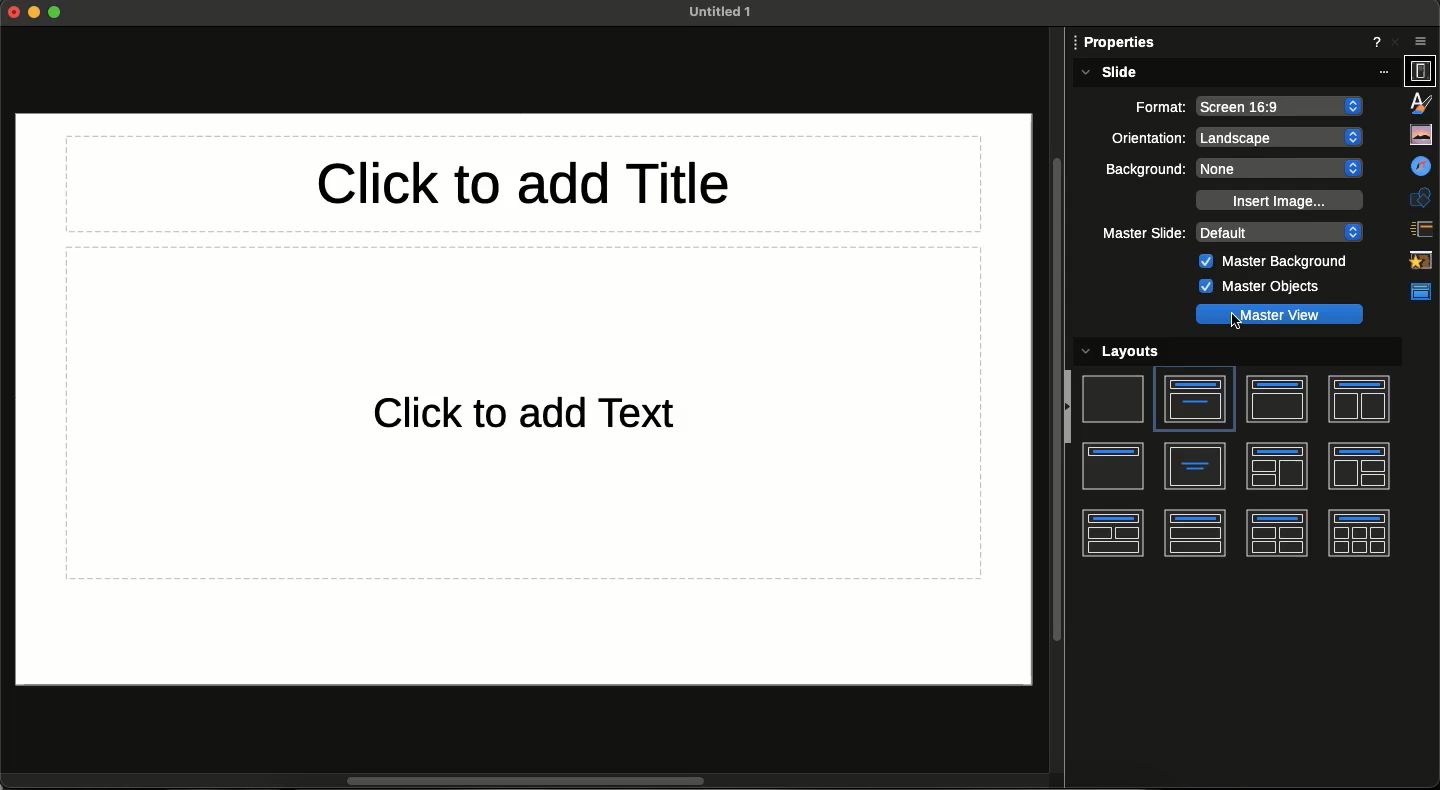 The image size is (1440, 790). Describe the element at coordinates (1279, 314) in the screenshot. I see `Master view` at that location.